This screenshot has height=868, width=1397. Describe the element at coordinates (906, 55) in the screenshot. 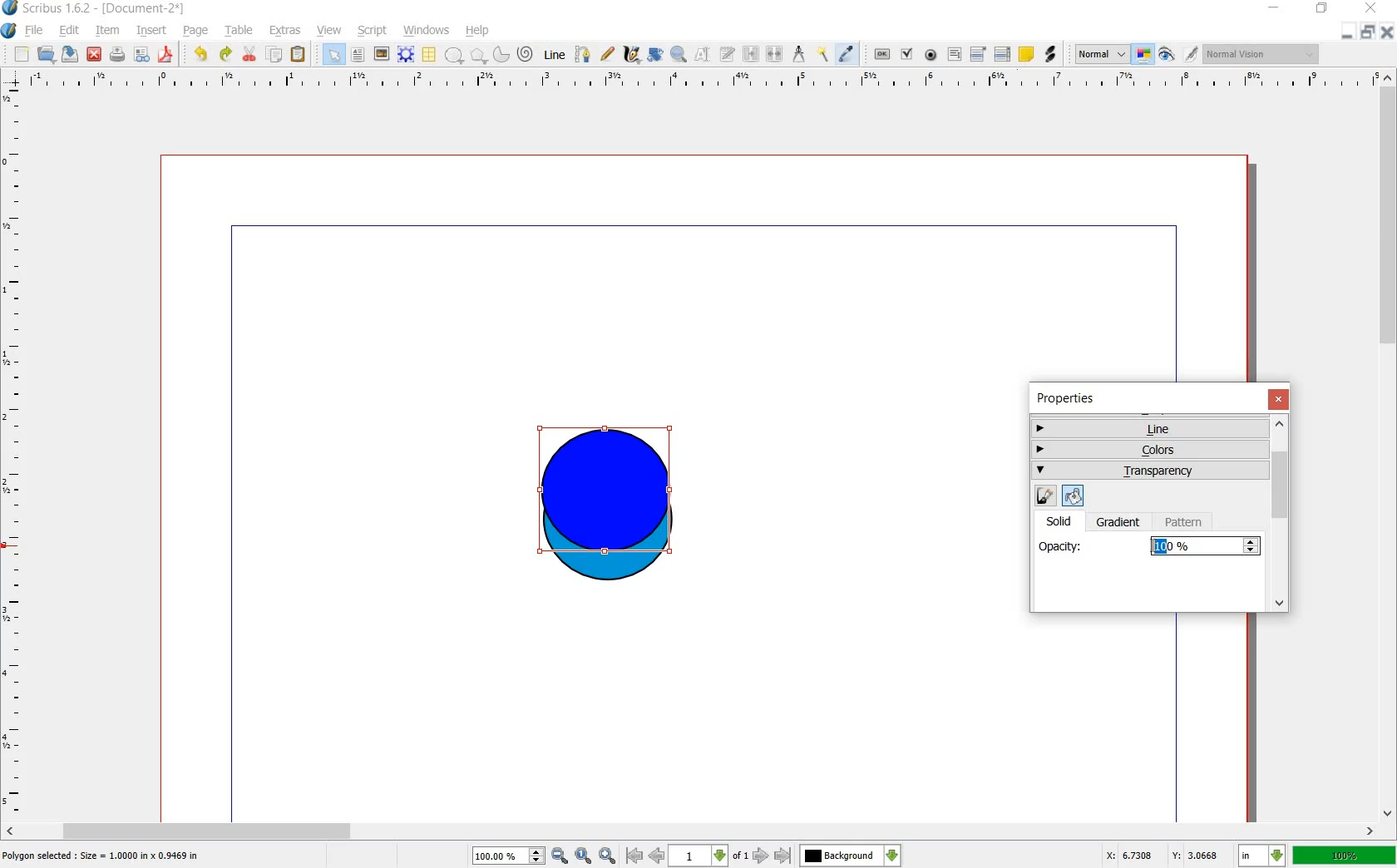

I see `pdf check box` at that location.